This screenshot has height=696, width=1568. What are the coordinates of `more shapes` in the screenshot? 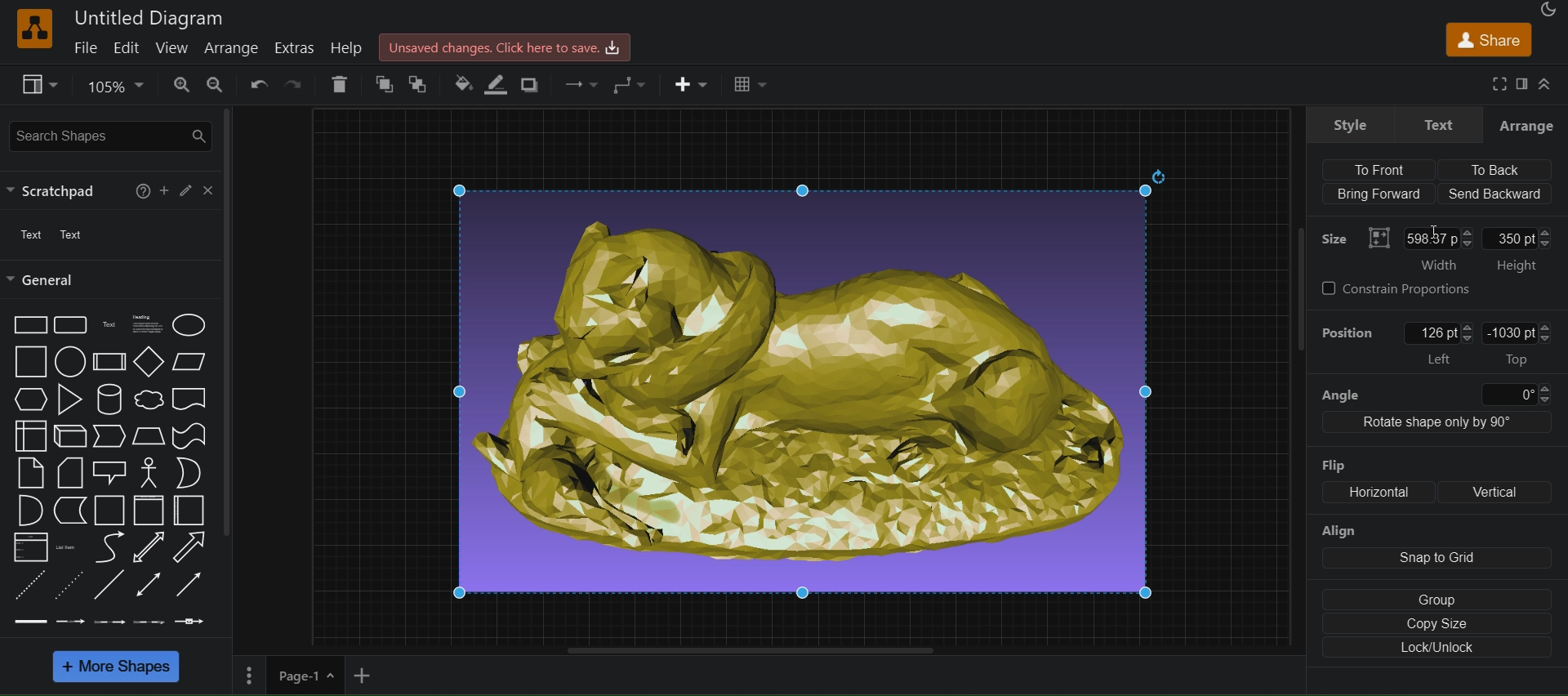 It's located at (119, 668).